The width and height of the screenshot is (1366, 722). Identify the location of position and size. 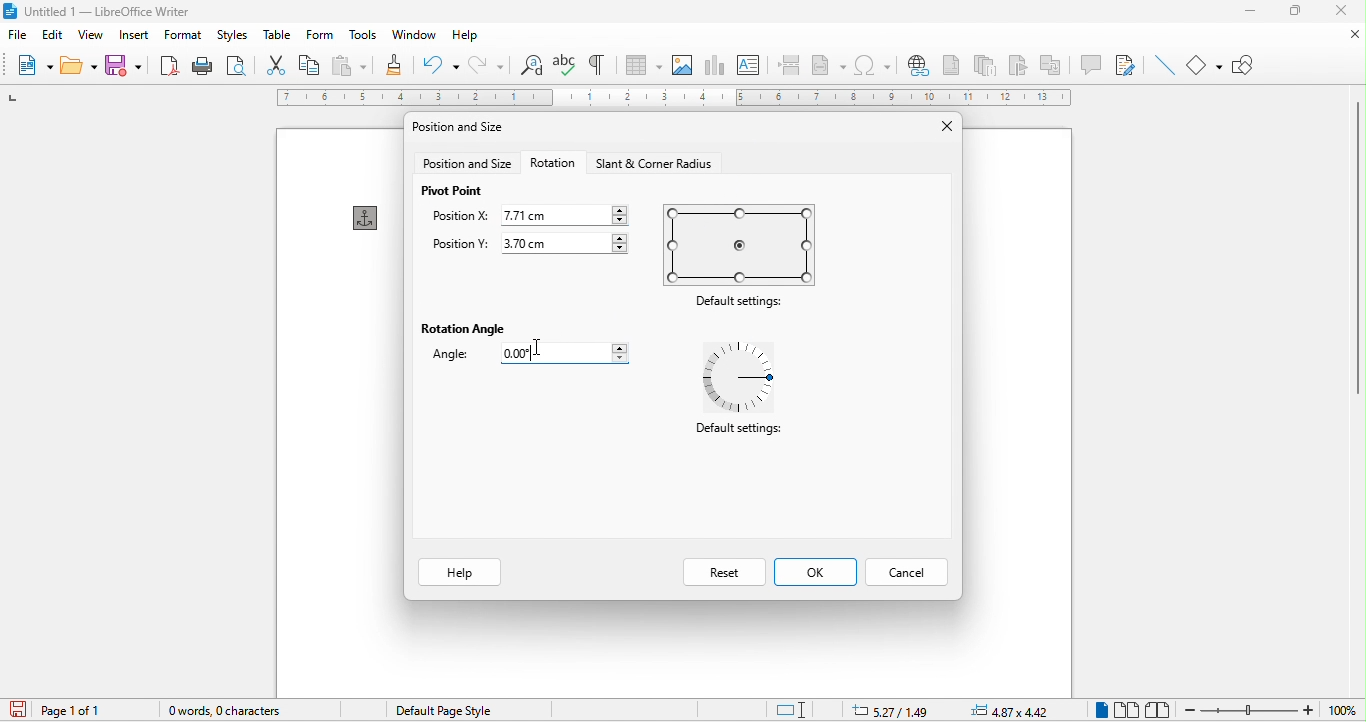
(467, 163).